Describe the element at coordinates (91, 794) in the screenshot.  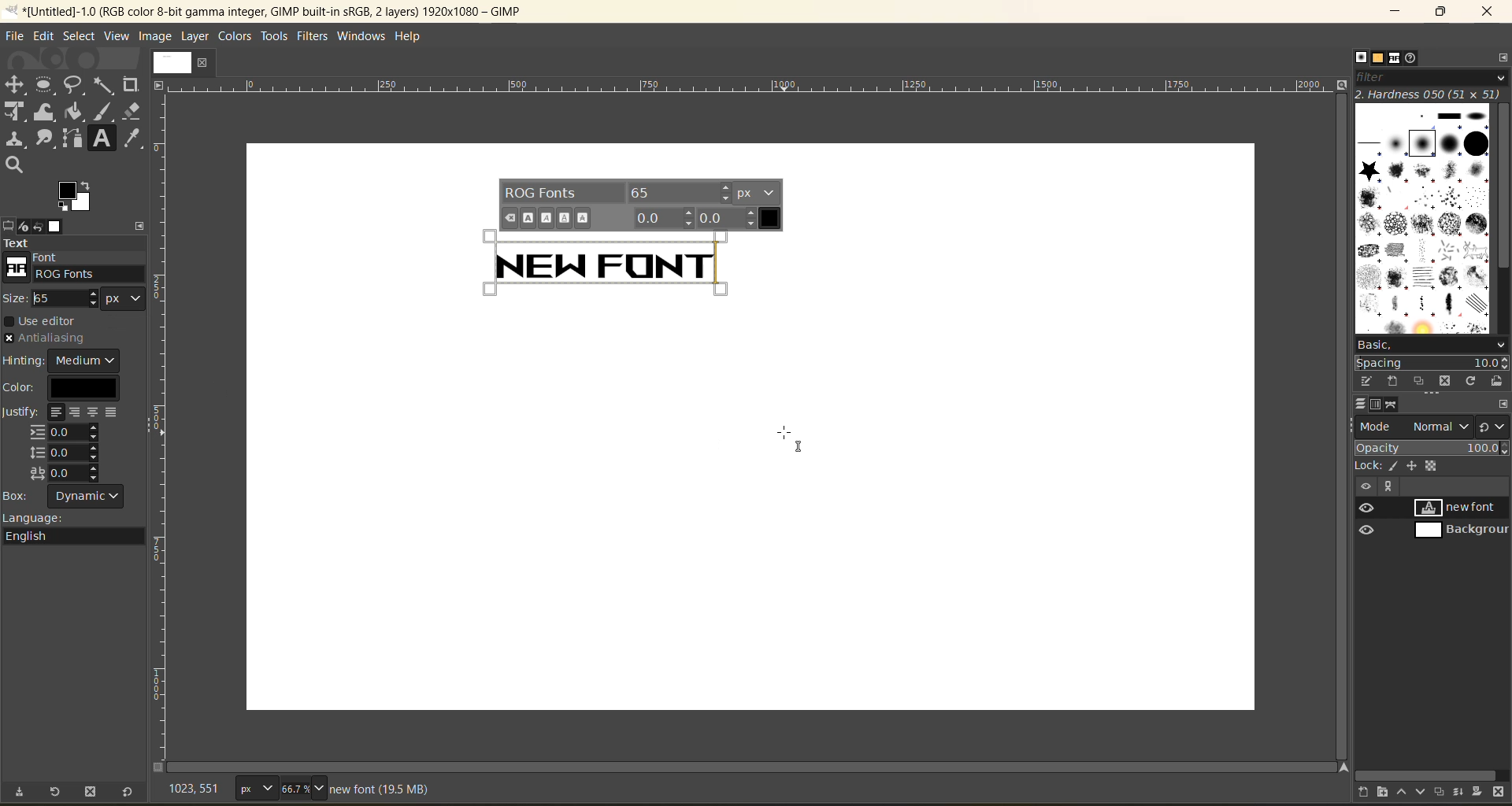
I see `delete tool preset` at that location.